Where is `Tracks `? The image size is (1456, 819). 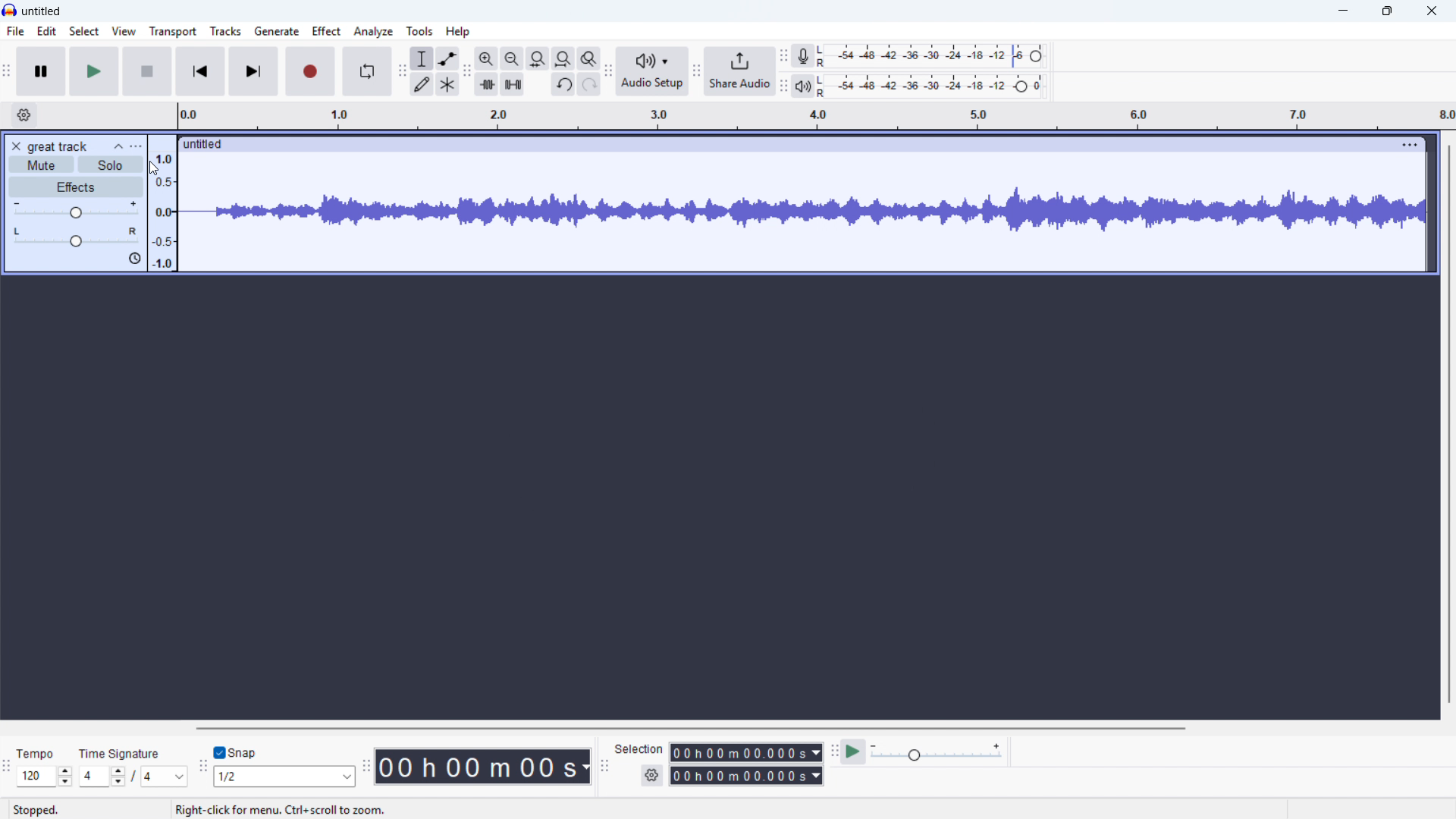 Tracks  is located at coordinates (226, 30).